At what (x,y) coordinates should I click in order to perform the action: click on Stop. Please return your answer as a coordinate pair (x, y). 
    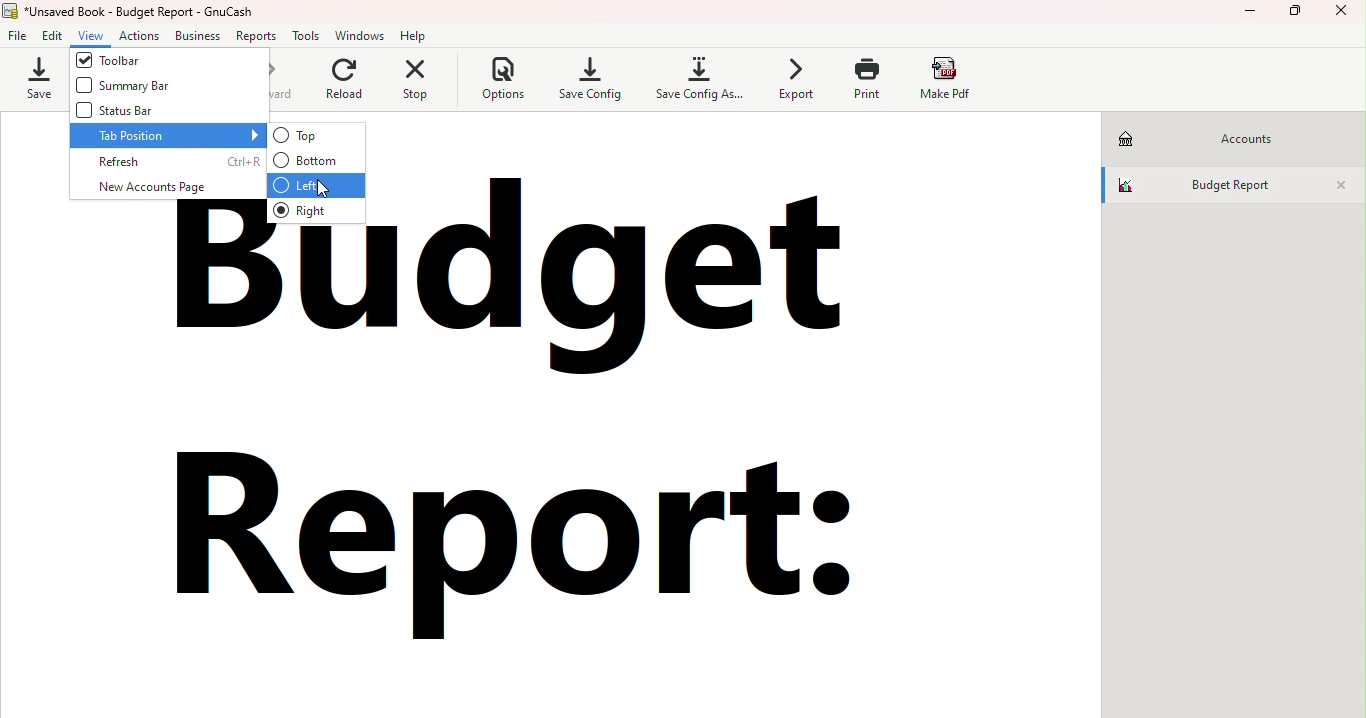
    Looking at the image, I should click on (414, 81).